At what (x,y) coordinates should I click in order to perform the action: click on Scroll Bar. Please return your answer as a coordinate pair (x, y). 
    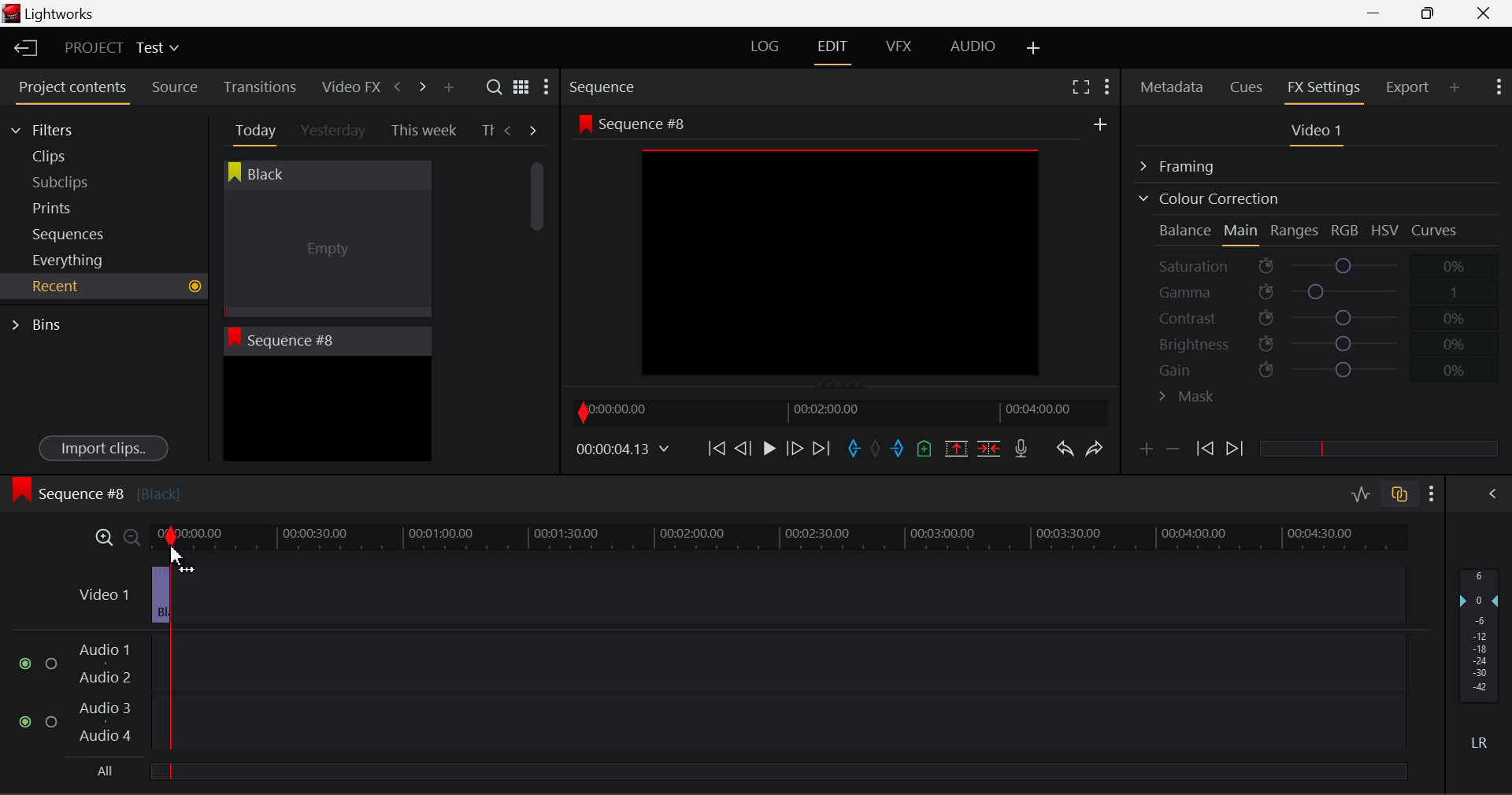
    Looking at the image, I should click on (538, 299).